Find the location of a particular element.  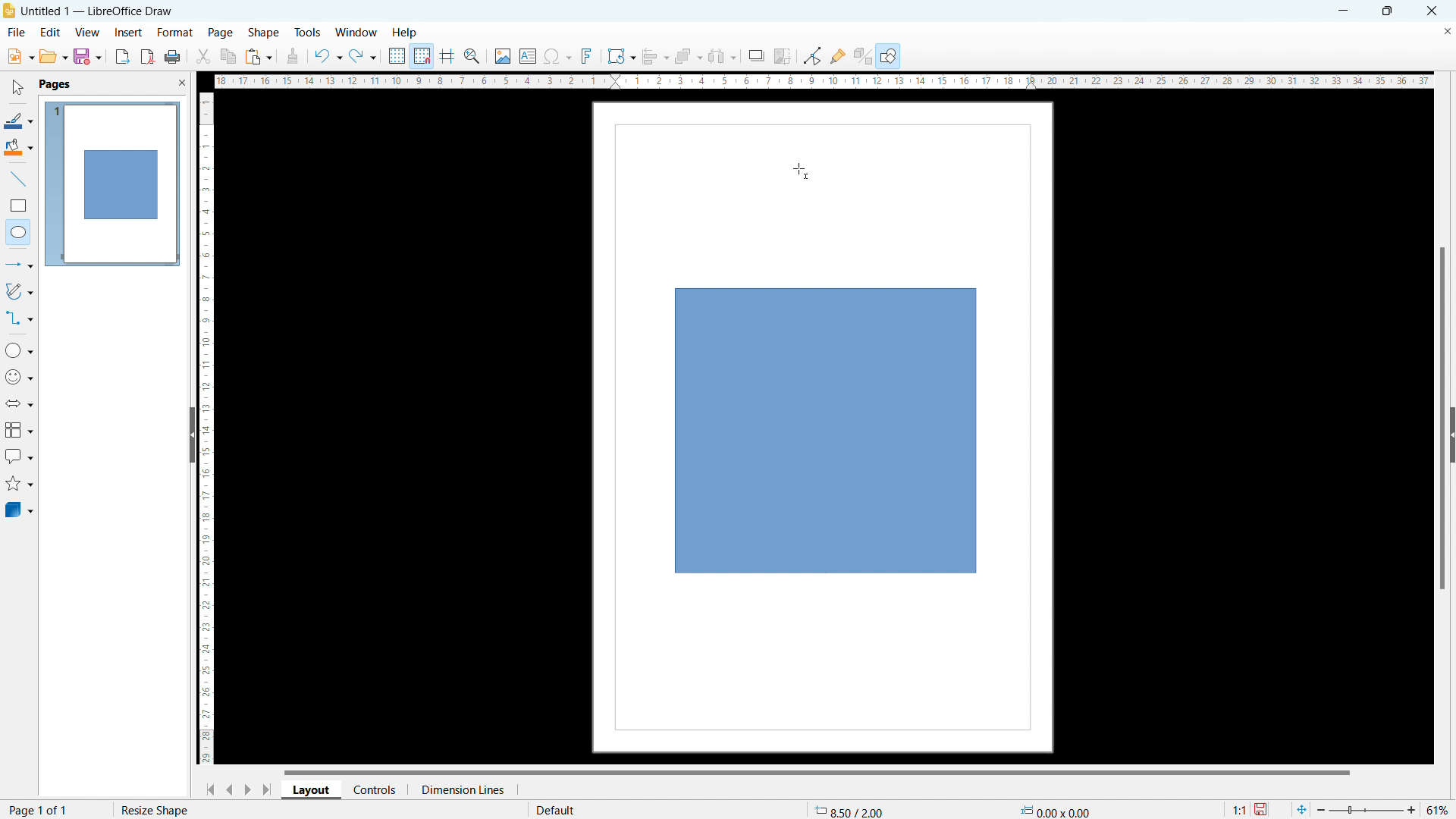

copy is located at coordinates (229, 56).